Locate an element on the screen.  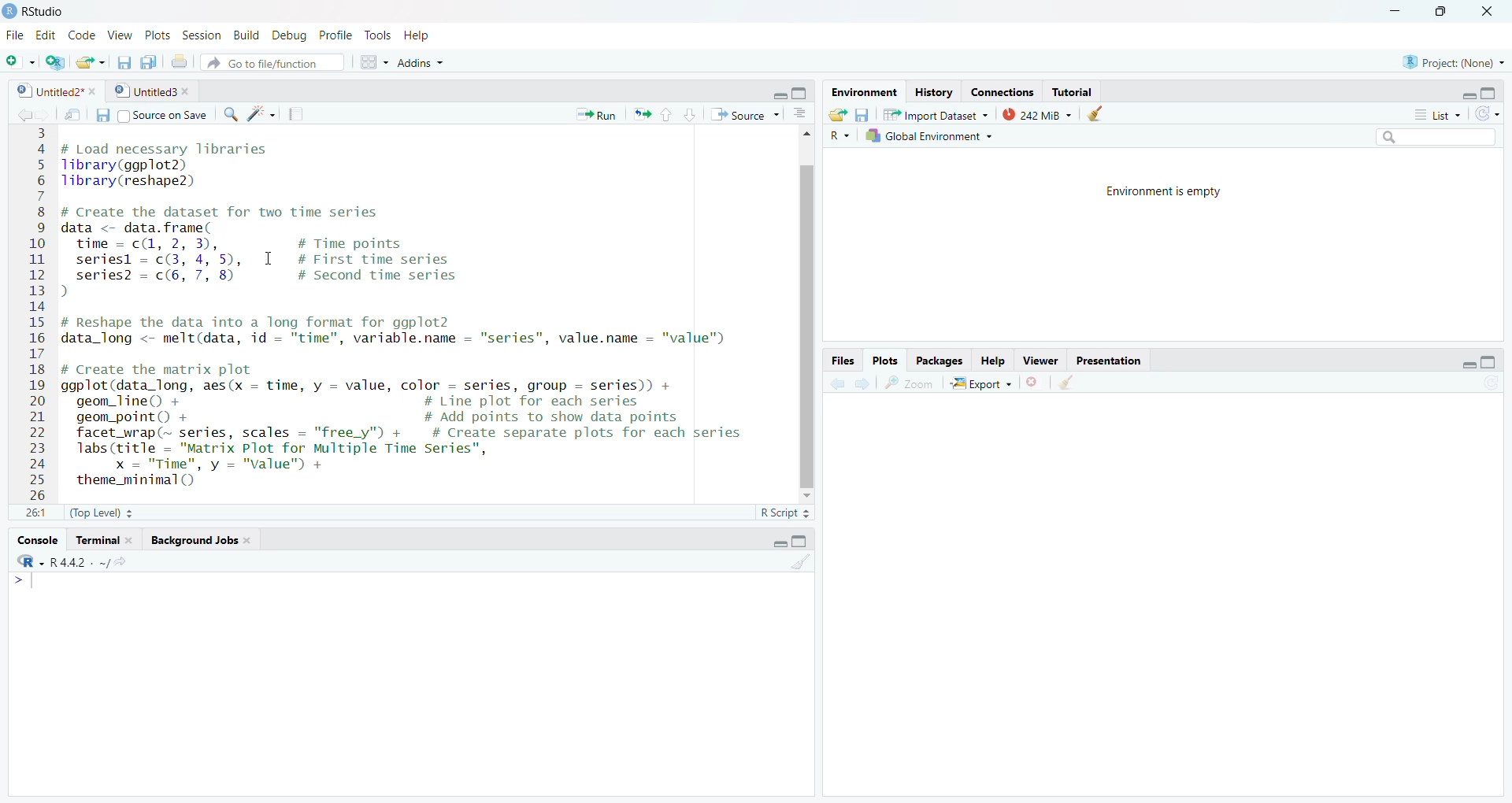
R Script  is located at coordinates (784, 513).